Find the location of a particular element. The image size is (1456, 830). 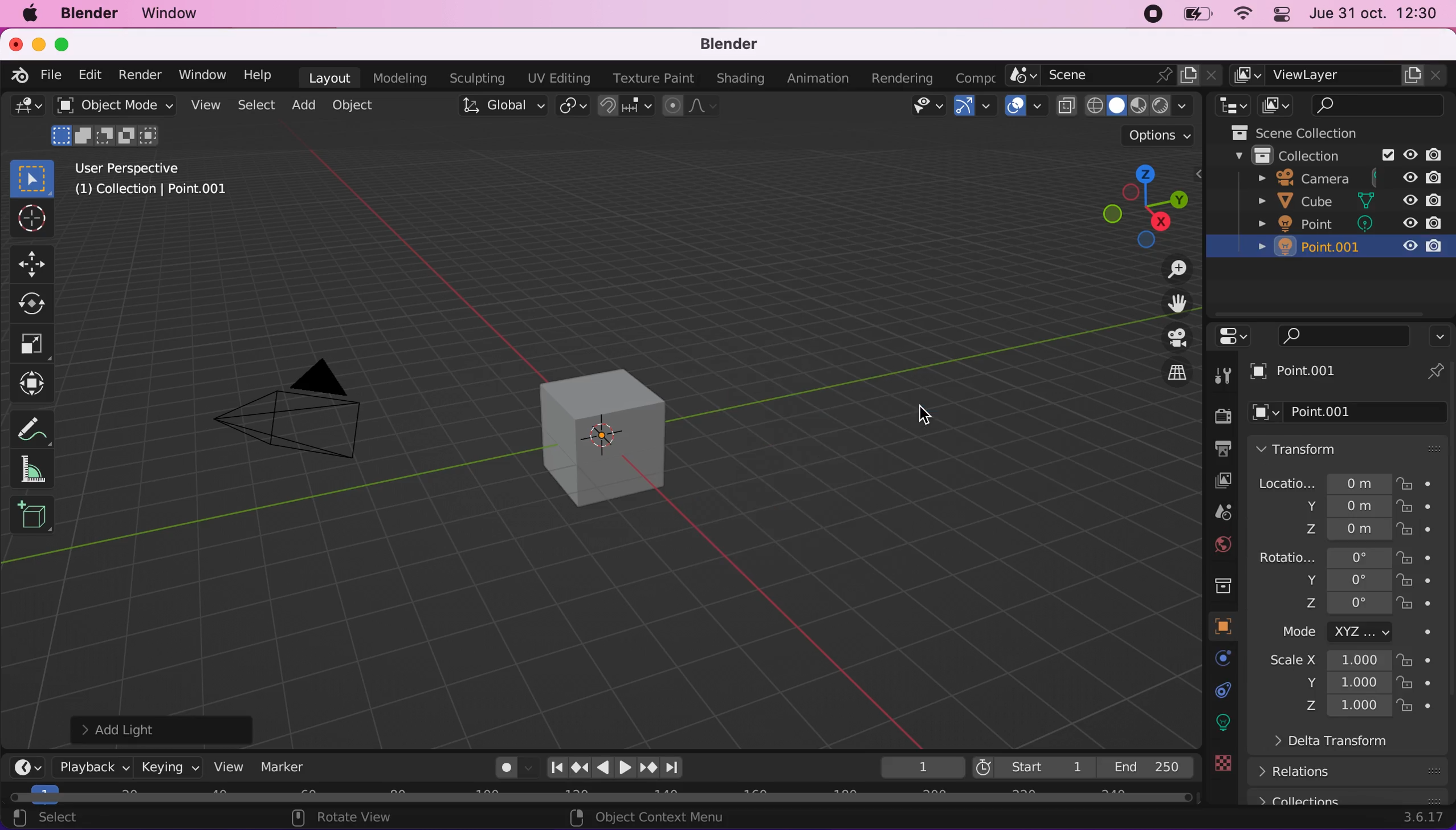

data is located at coordinates (1216, 625).